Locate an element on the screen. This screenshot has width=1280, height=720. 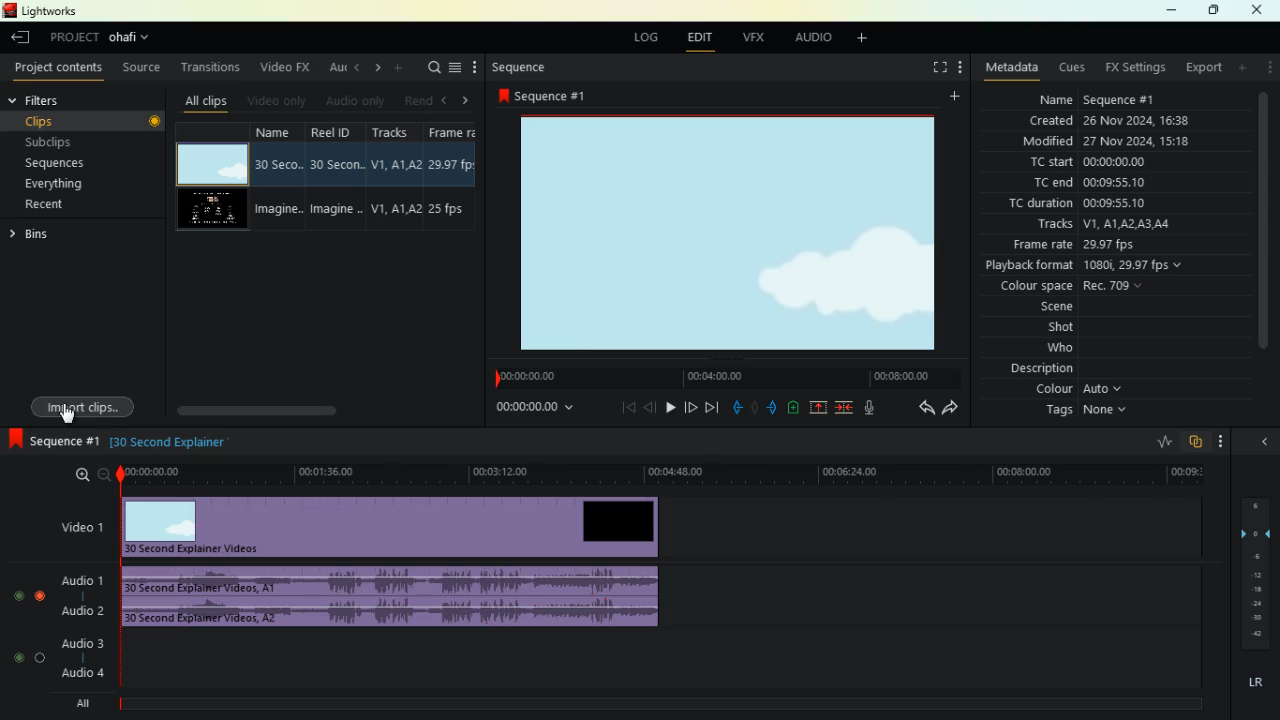
project contents is located at coordinates (63, 68).